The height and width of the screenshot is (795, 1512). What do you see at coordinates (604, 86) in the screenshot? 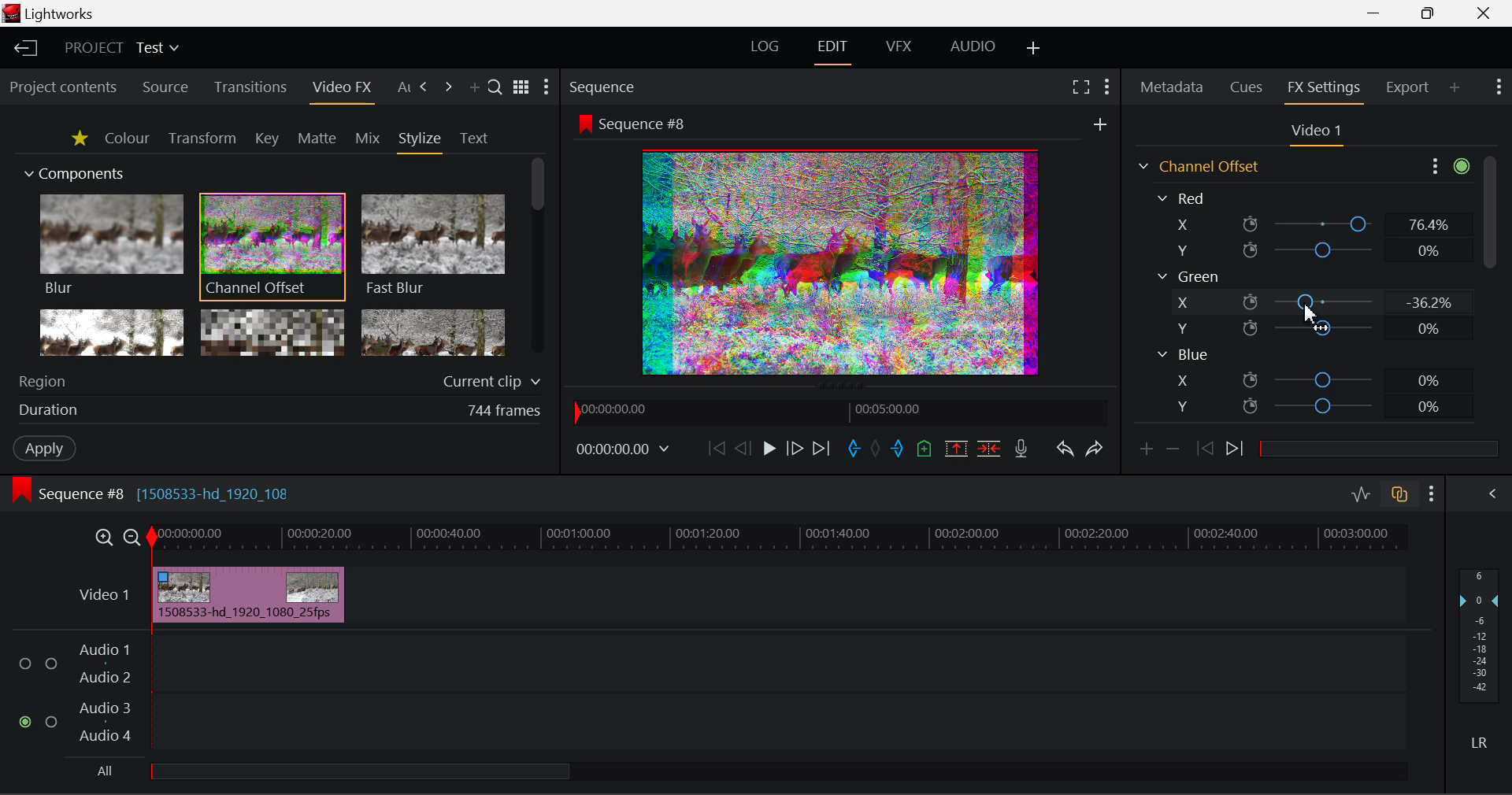
I see `Sequence Preview Section` at bounding box center [604, 86].